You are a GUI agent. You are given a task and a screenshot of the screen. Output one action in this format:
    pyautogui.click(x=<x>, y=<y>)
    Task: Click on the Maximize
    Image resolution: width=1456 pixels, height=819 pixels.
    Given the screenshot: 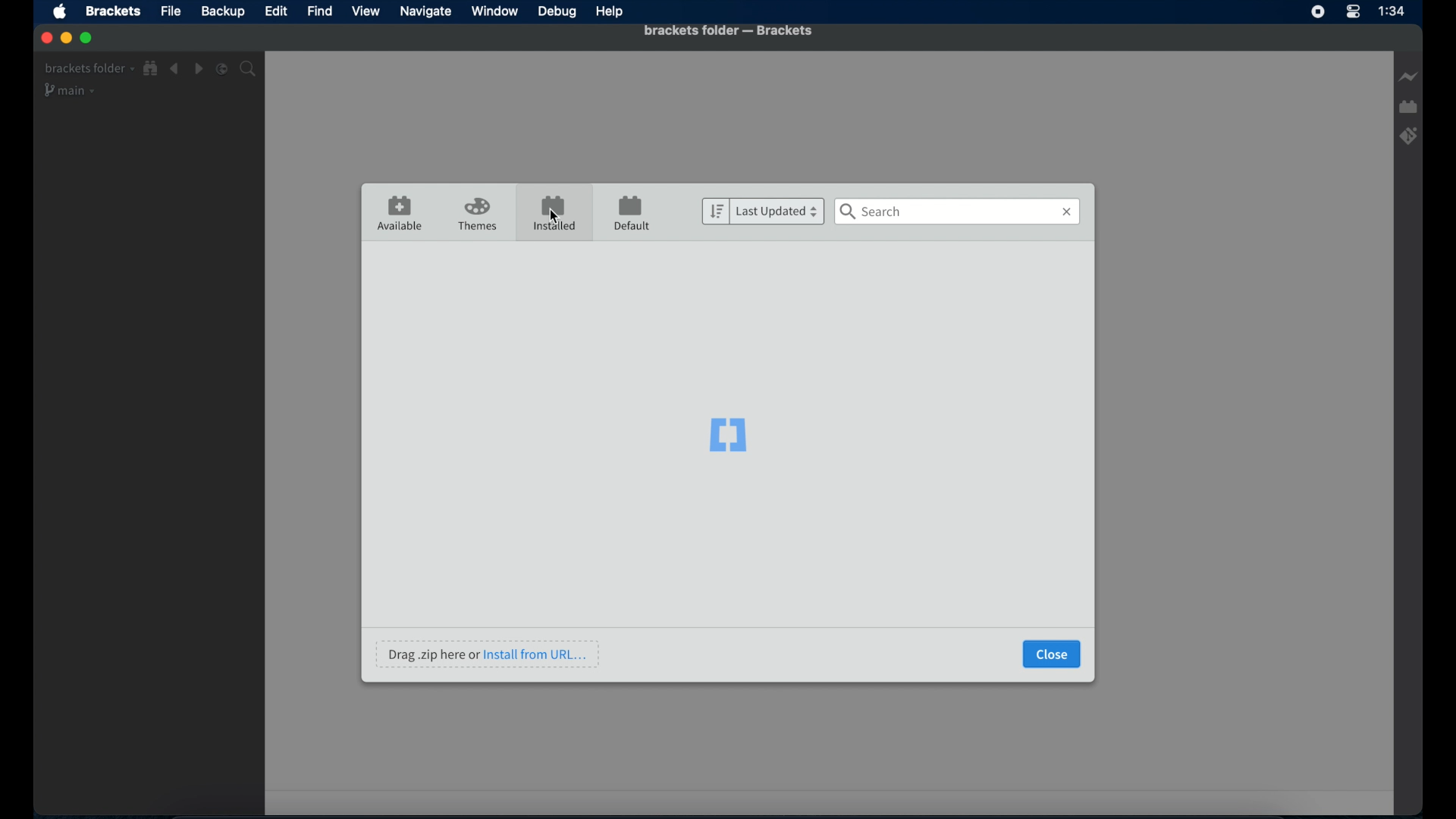 What is the action you would take?
    pyautogui.click(x=87, y=38)
    